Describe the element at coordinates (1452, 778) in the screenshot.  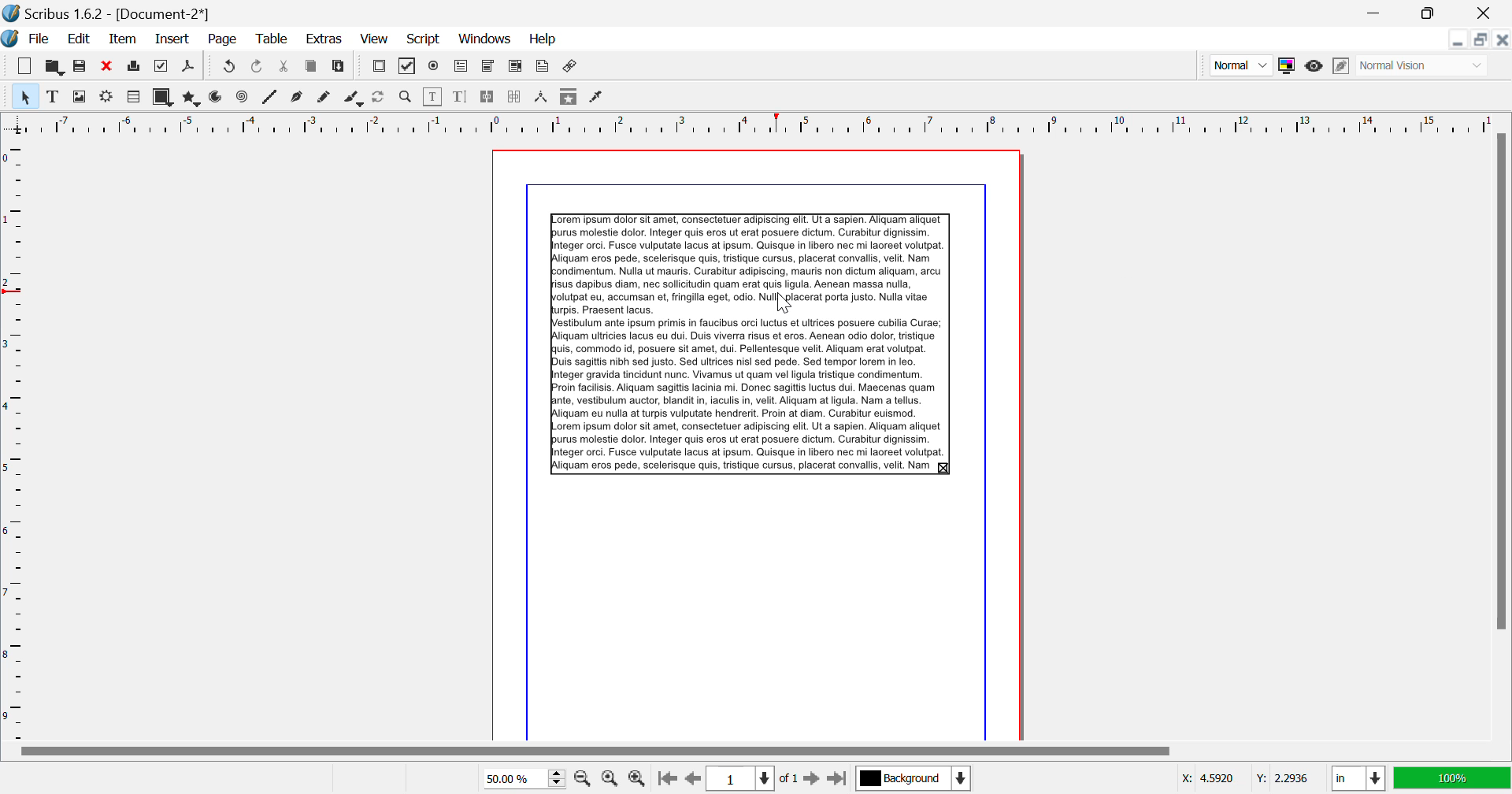
I see `Display Appearance` at that location.